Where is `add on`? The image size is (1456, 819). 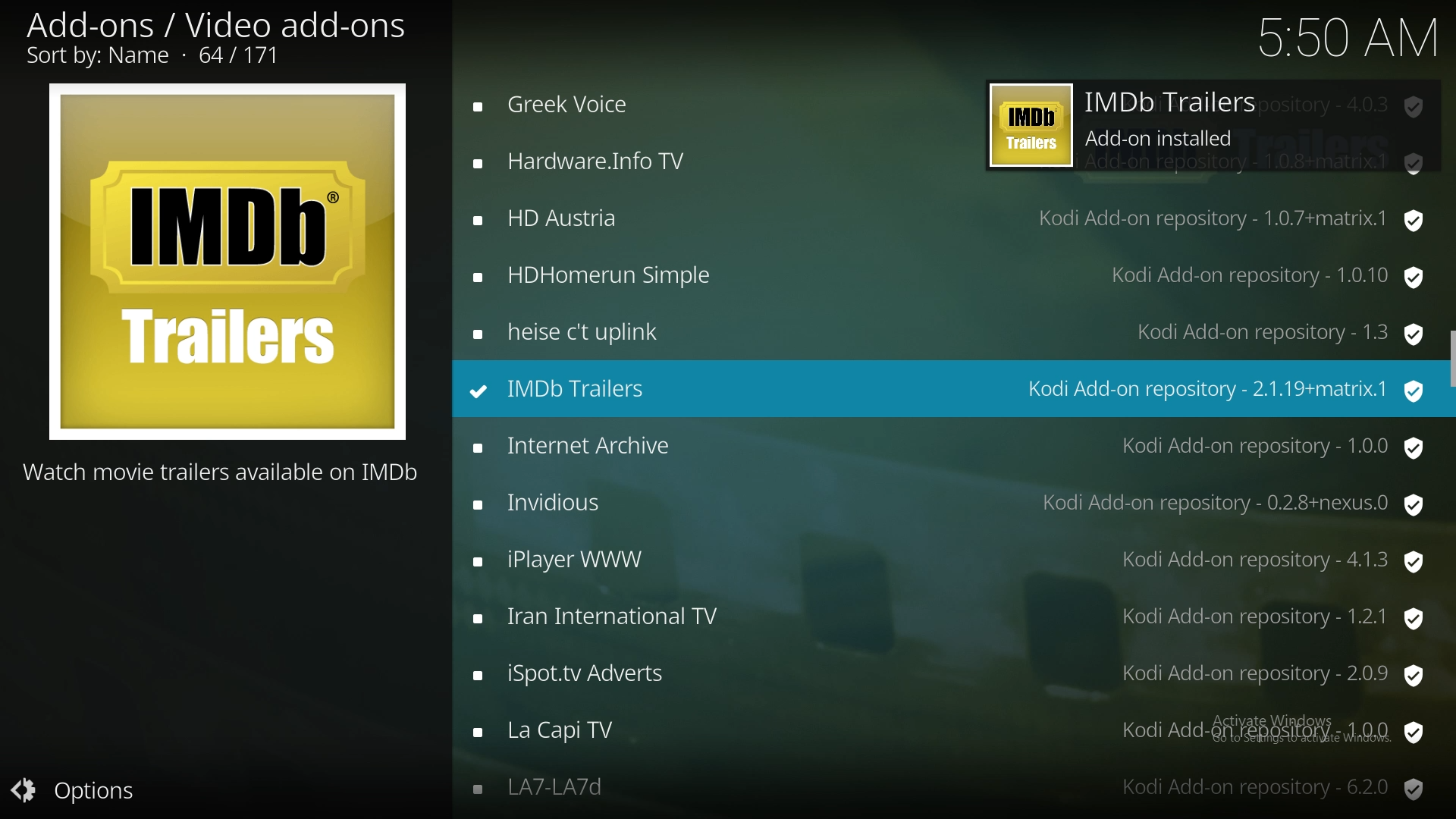 add on is located at coordinates (949, 791).